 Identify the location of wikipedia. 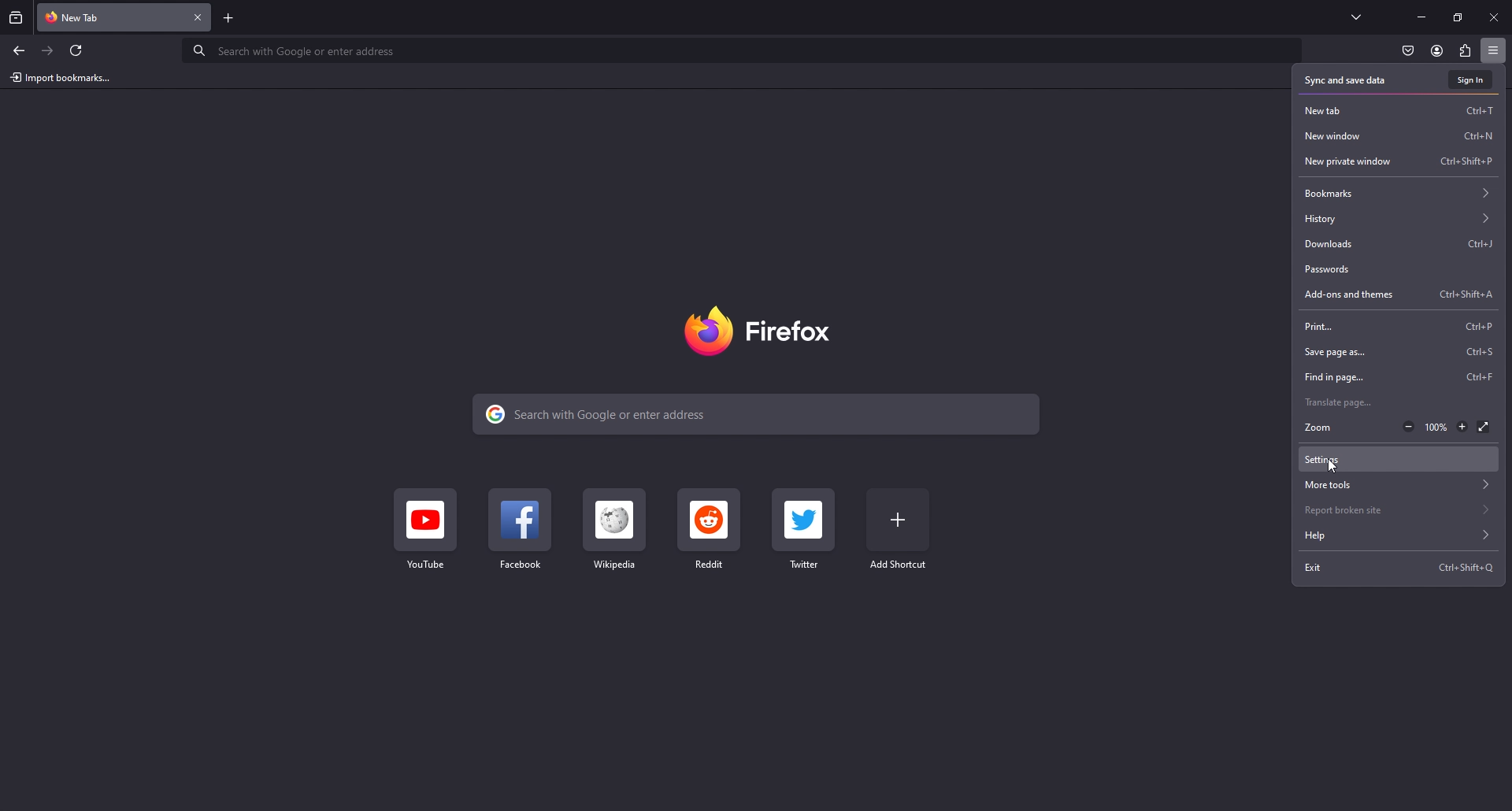
(617, 531).